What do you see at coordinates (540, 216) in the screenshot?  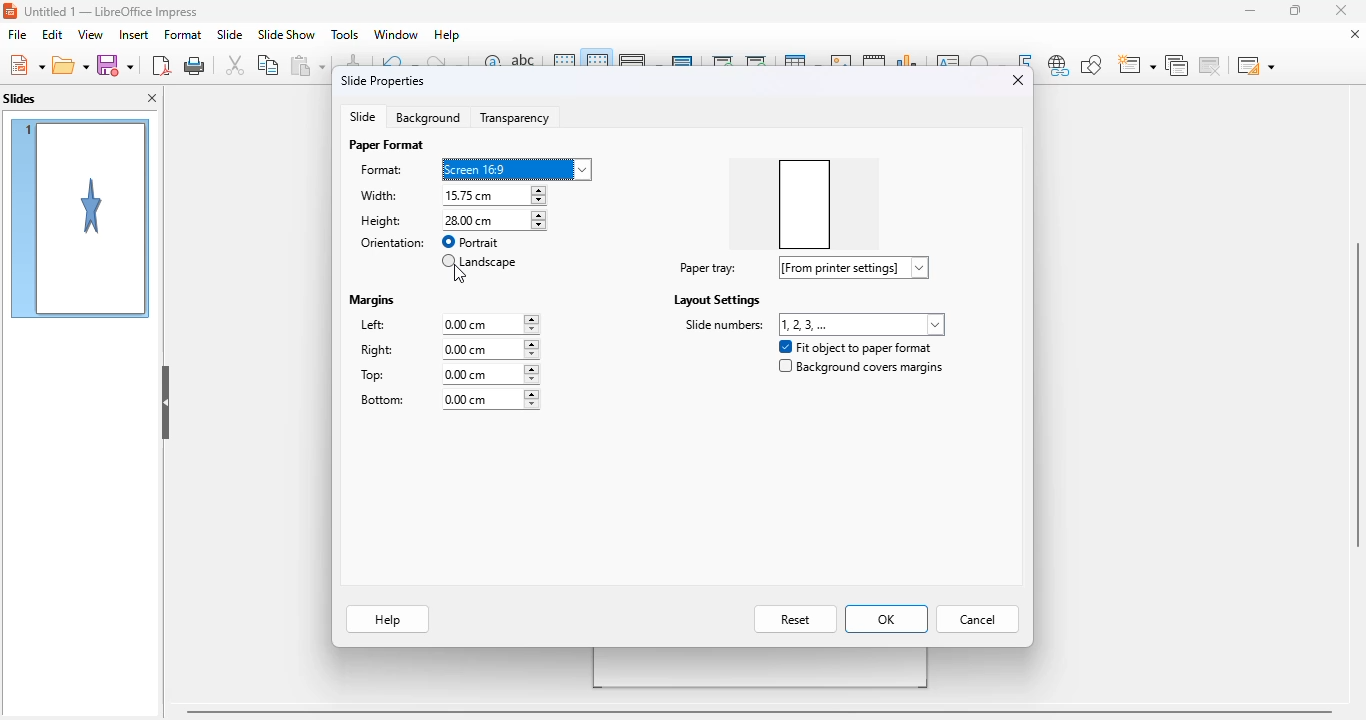 I see `increase height` at bounding box center [540, 216].